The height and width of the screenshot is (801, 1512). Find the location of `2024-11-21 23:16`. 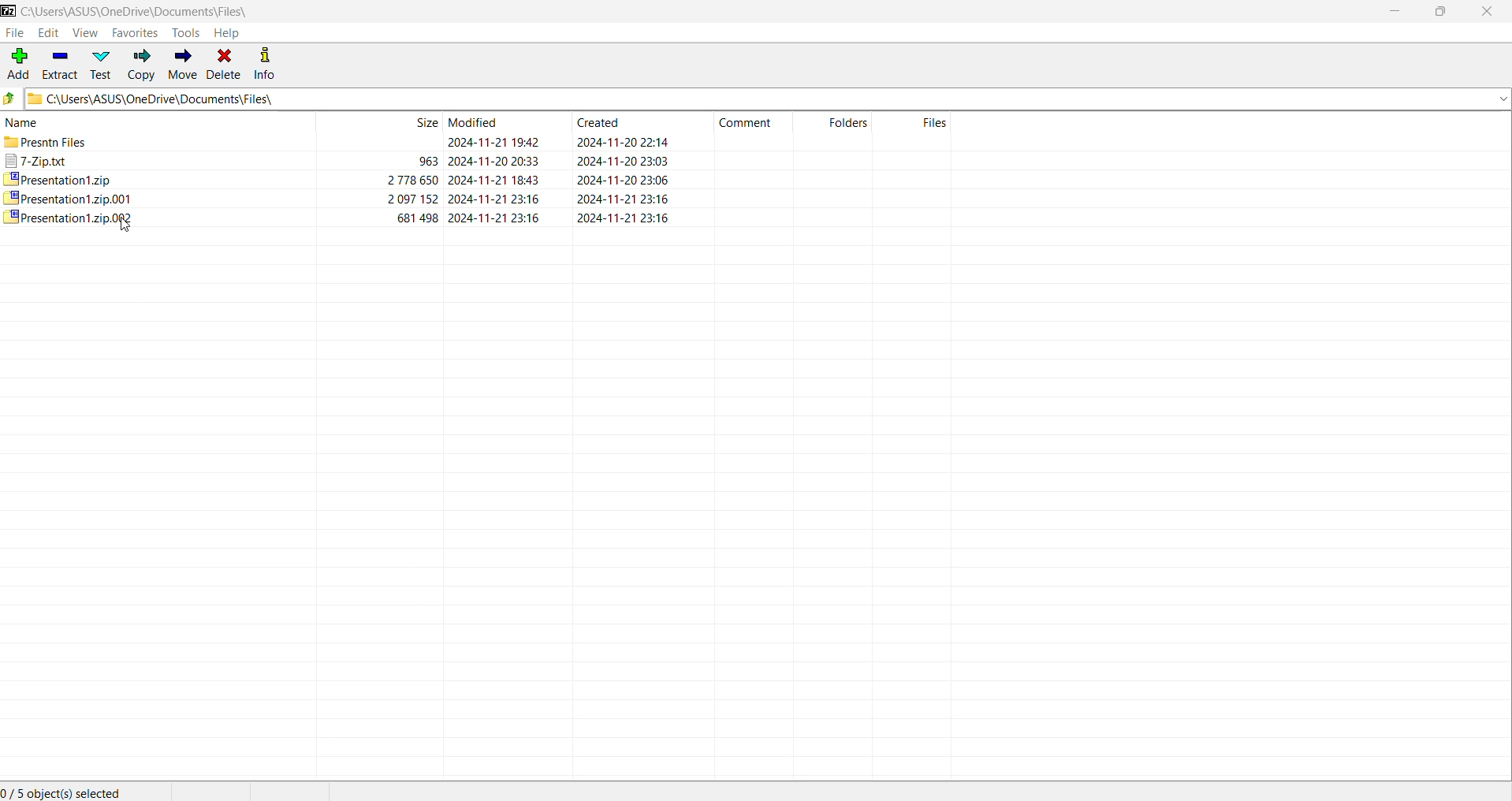

2024-11-21 23:16 is located at coordinates (627, 197).